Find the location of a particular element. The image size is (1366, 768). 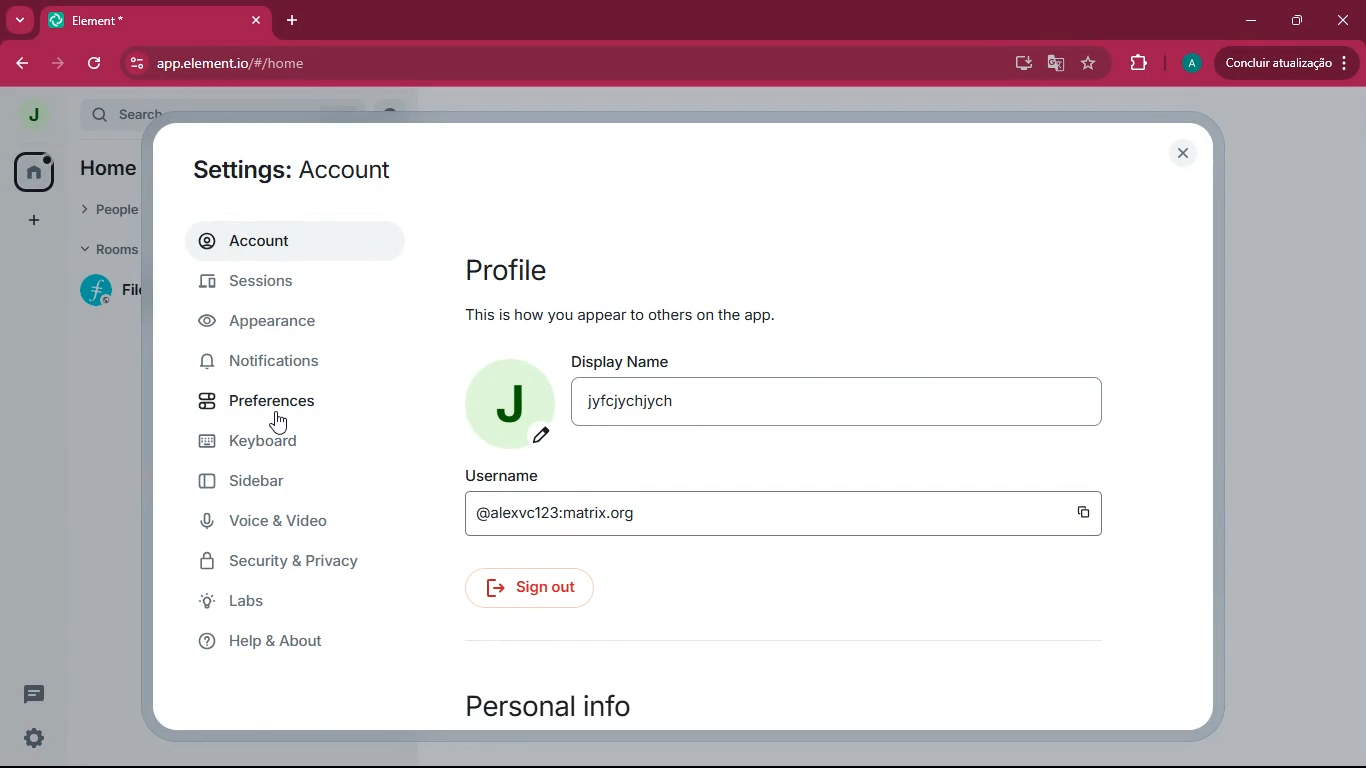

app.element.io/#/home is located at coordinates (406, 65).